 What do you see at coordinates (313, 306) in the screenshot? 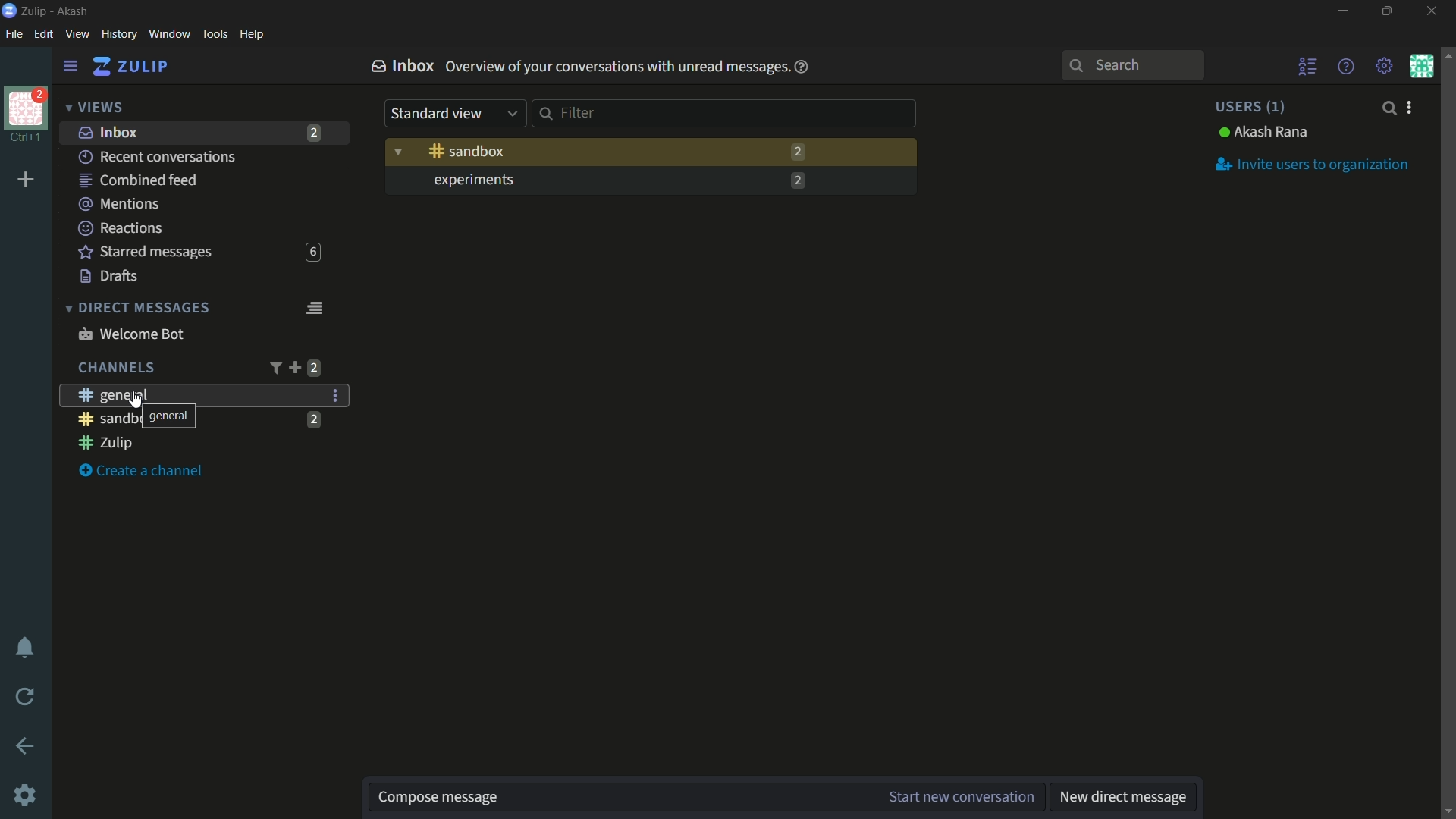
I see `direct message feed` at bounding box center [313, 306].